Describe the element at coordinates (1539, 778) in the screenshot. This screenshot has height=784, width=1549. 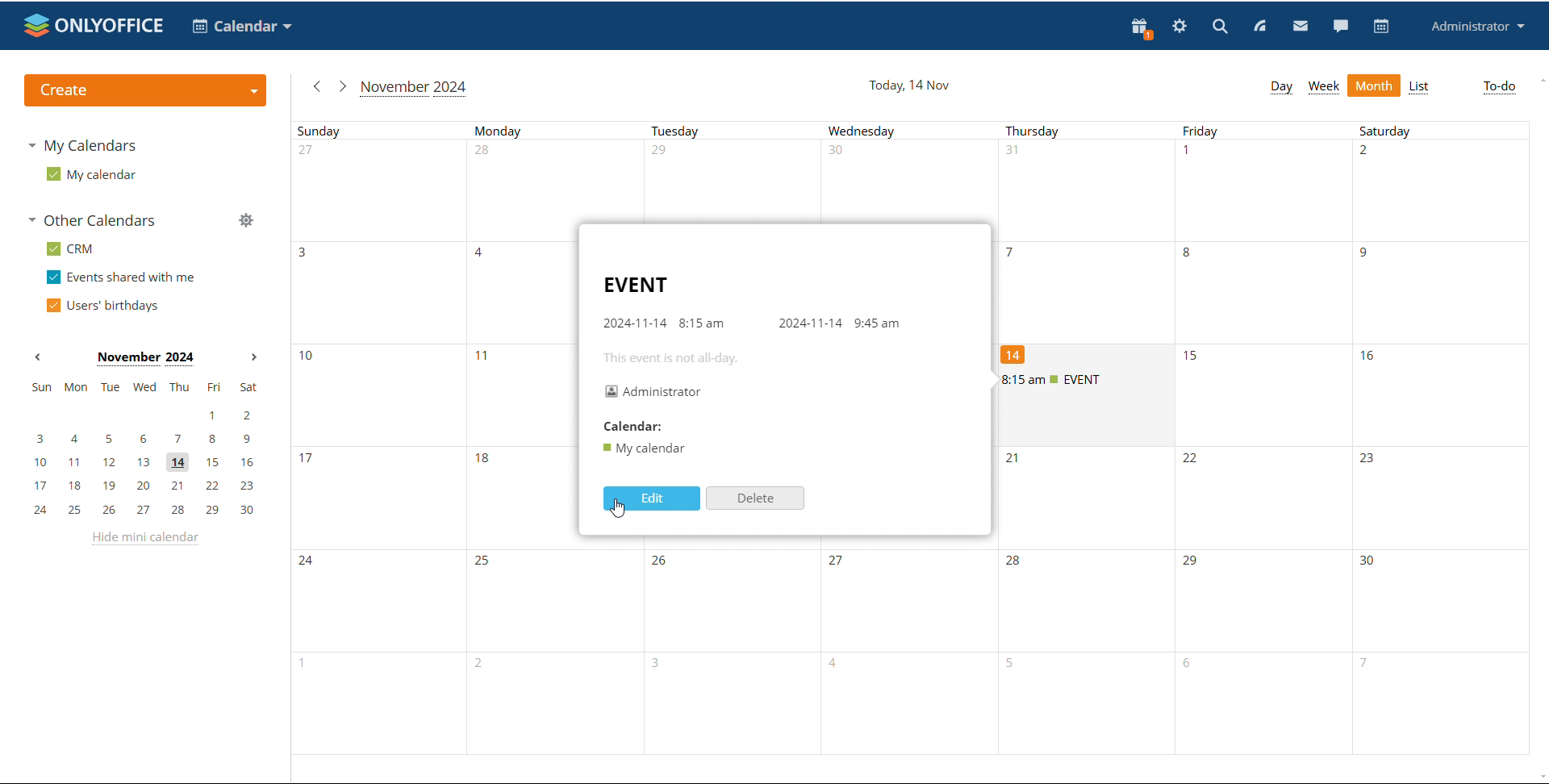
I see `scroll down` at that location.